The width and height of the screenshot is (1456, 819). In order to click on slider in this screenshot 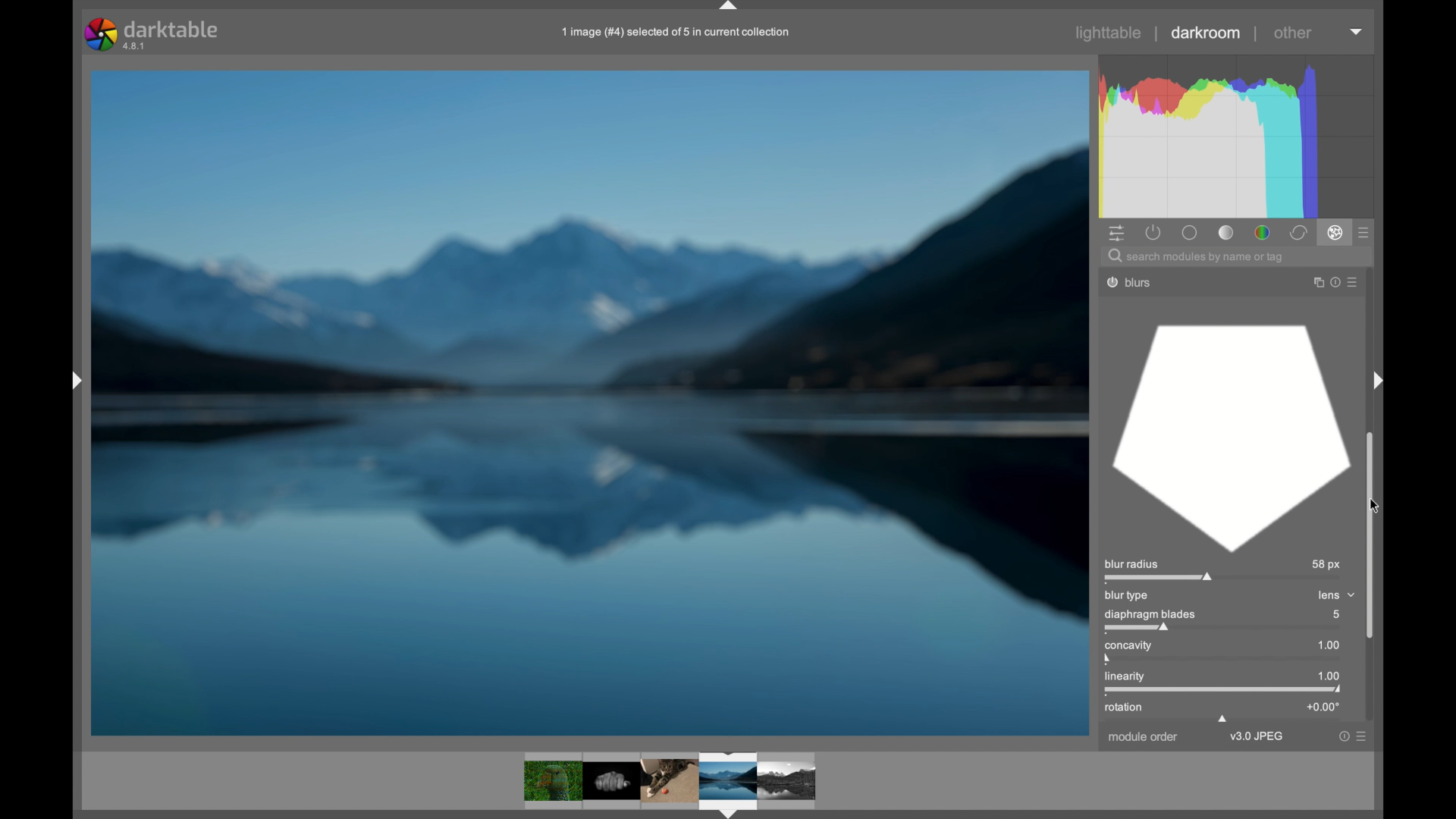, I will do `click(1225, 629)`.